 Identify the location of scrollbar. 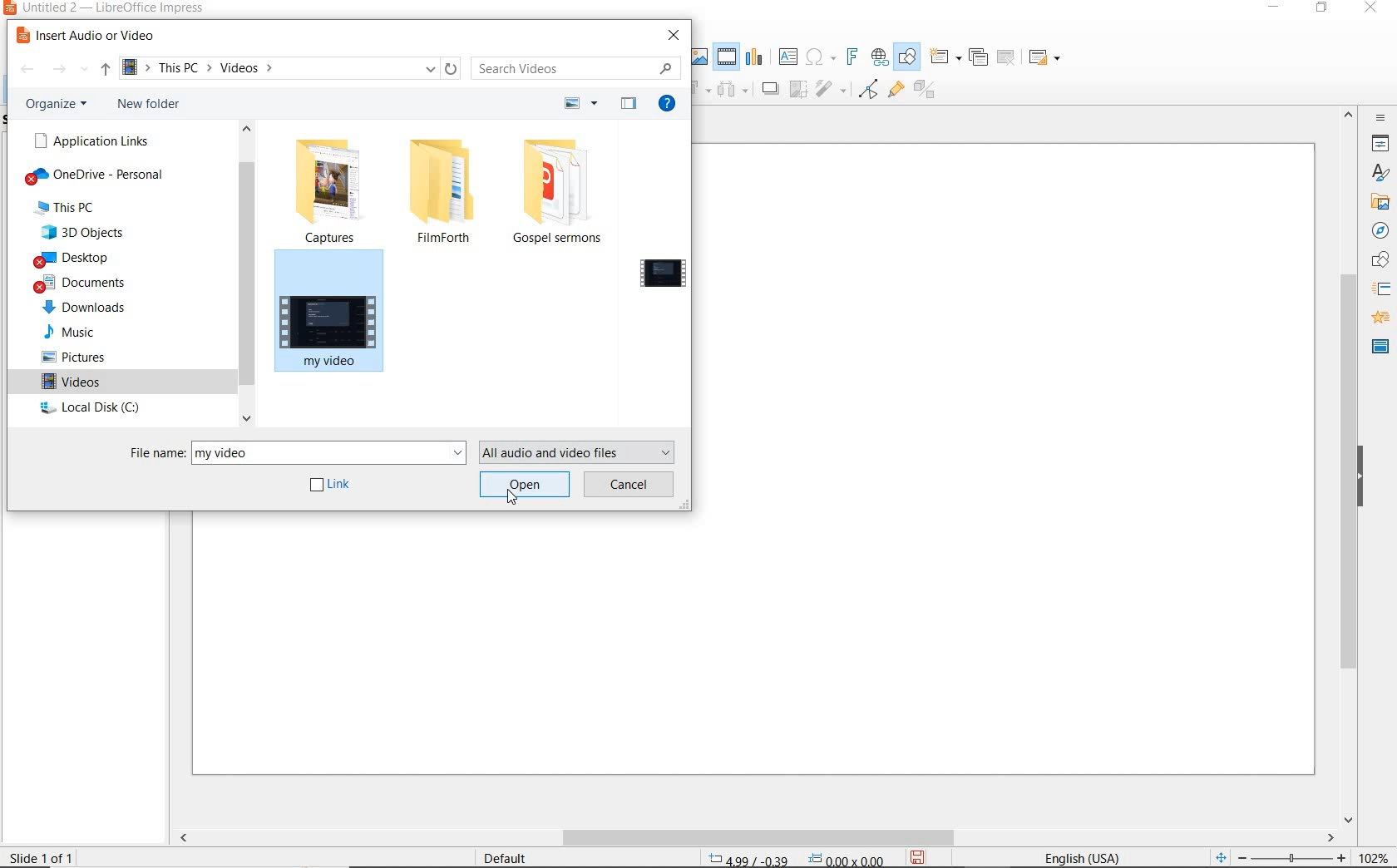
(249, 272).